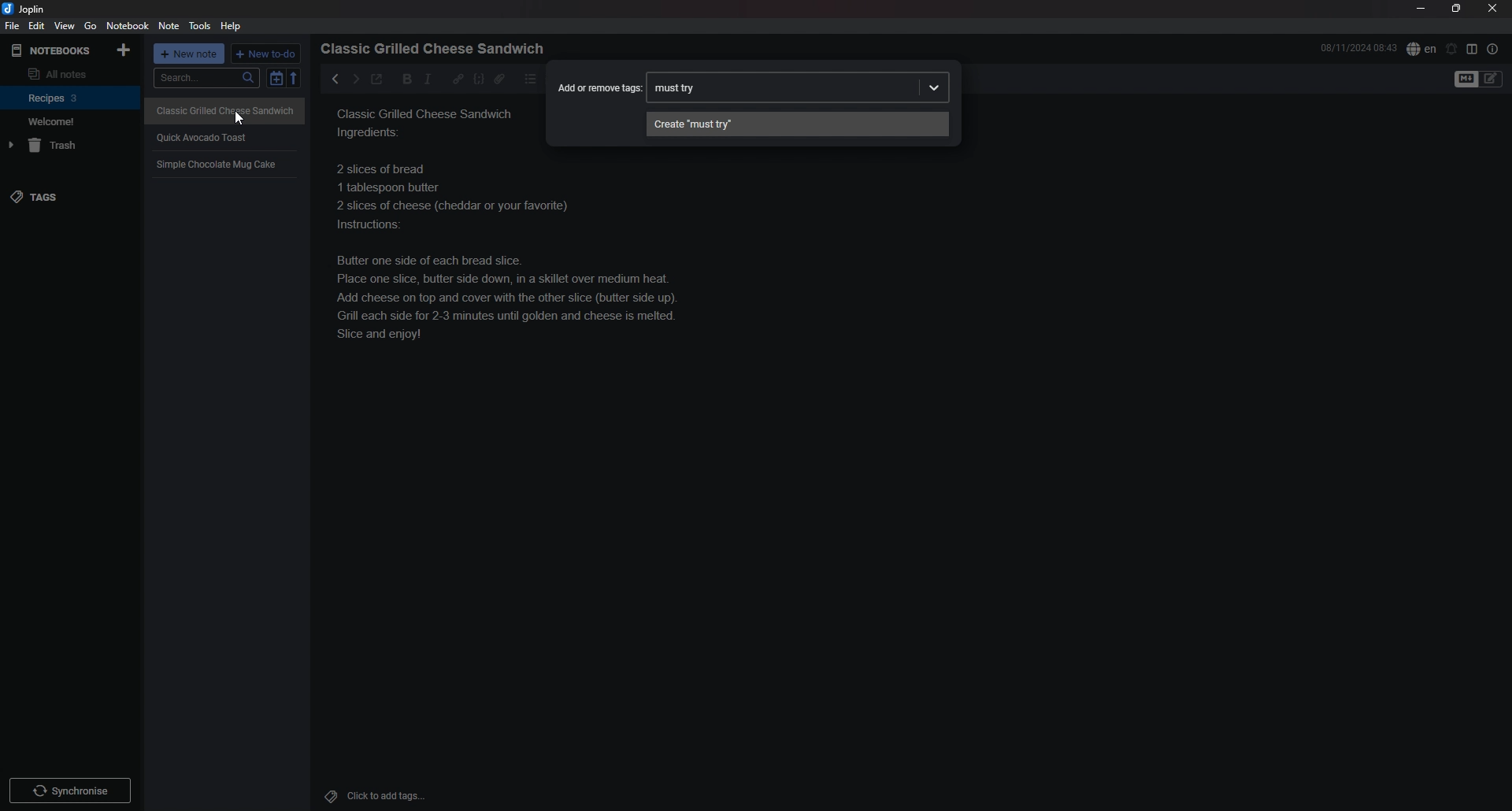  I want to click on joplin, so click(26, 9).